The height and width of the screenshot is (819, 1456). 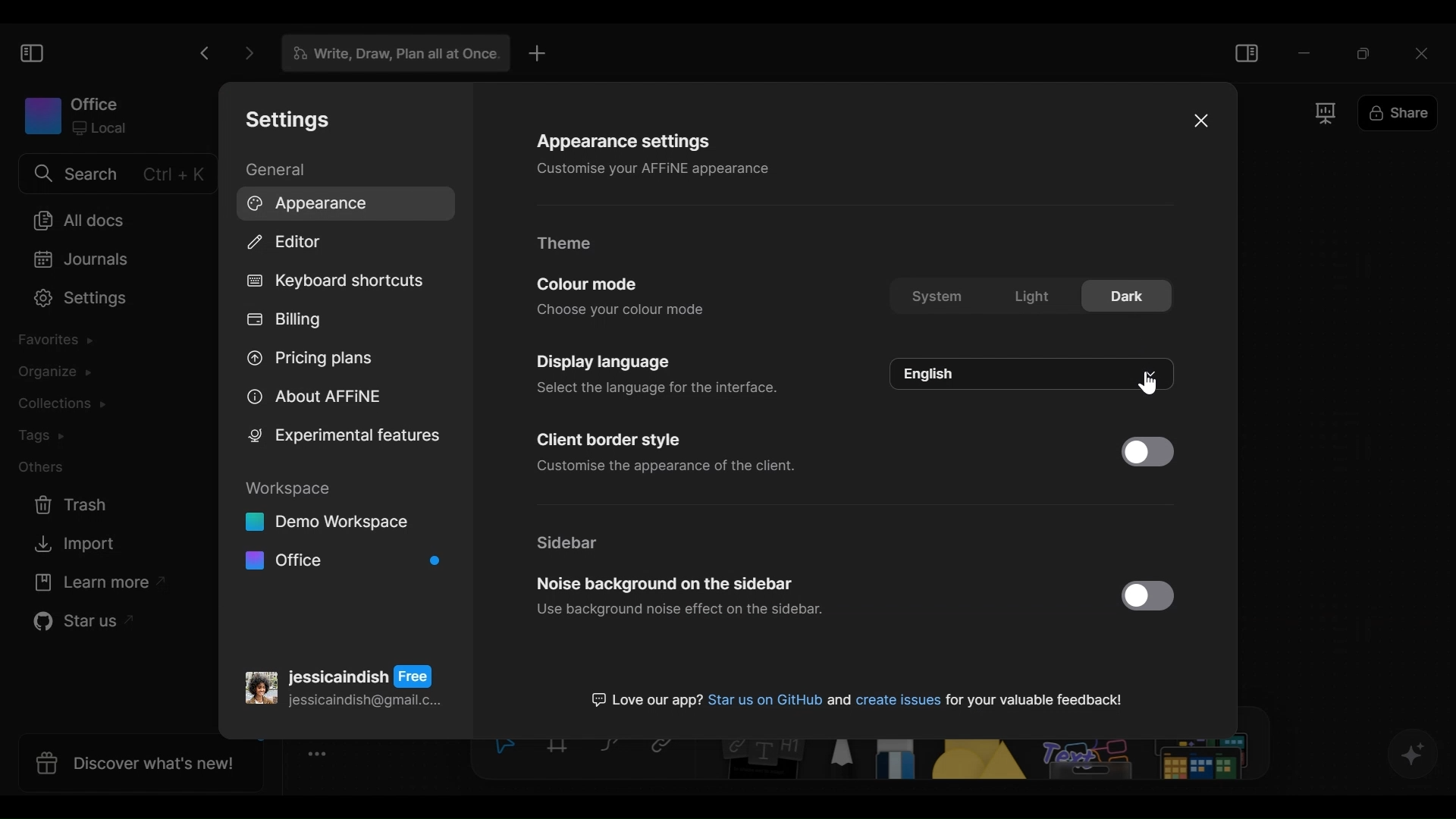 I want to click on Client border Style, so click(x=666, y=453).